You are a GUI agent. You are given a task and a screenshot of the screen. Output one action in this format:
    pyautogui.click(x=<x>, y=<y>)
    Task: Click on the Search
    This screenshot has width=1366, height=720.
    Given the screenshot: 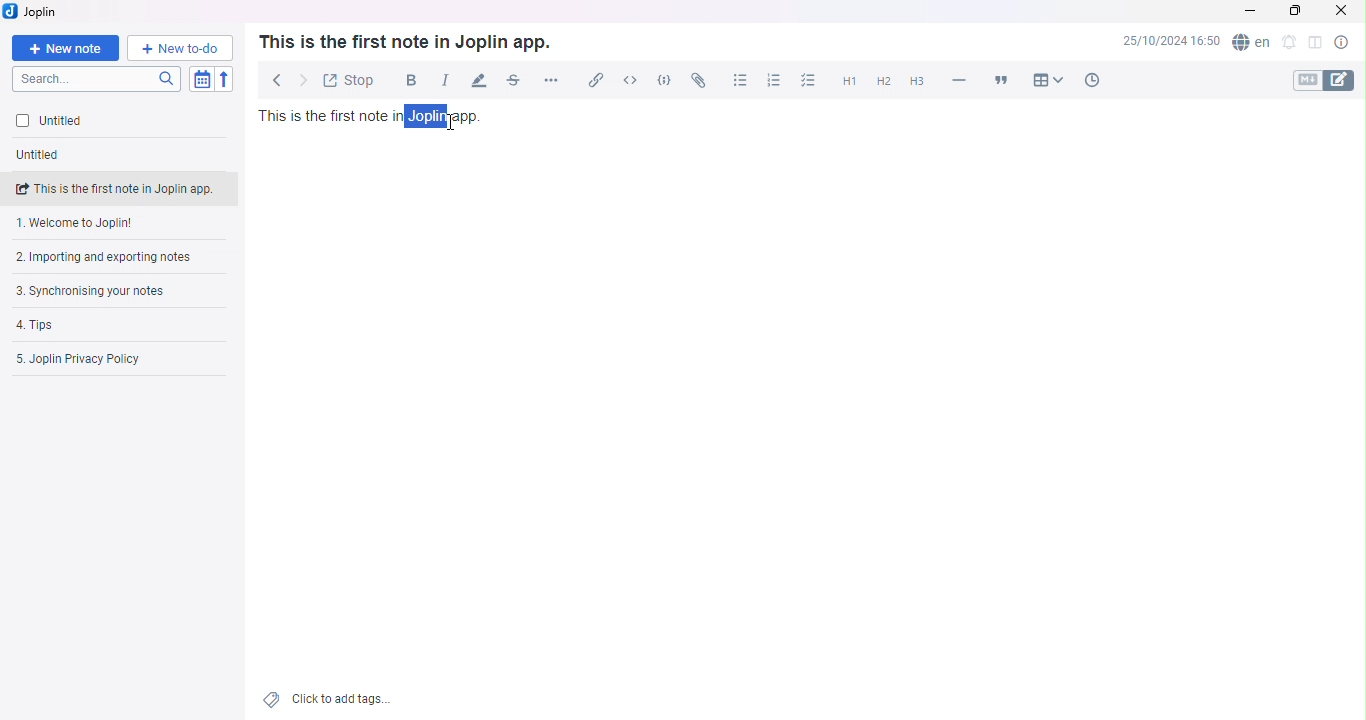 What is the action you would take?
    pyautogui.click(x=100, y=79)
    